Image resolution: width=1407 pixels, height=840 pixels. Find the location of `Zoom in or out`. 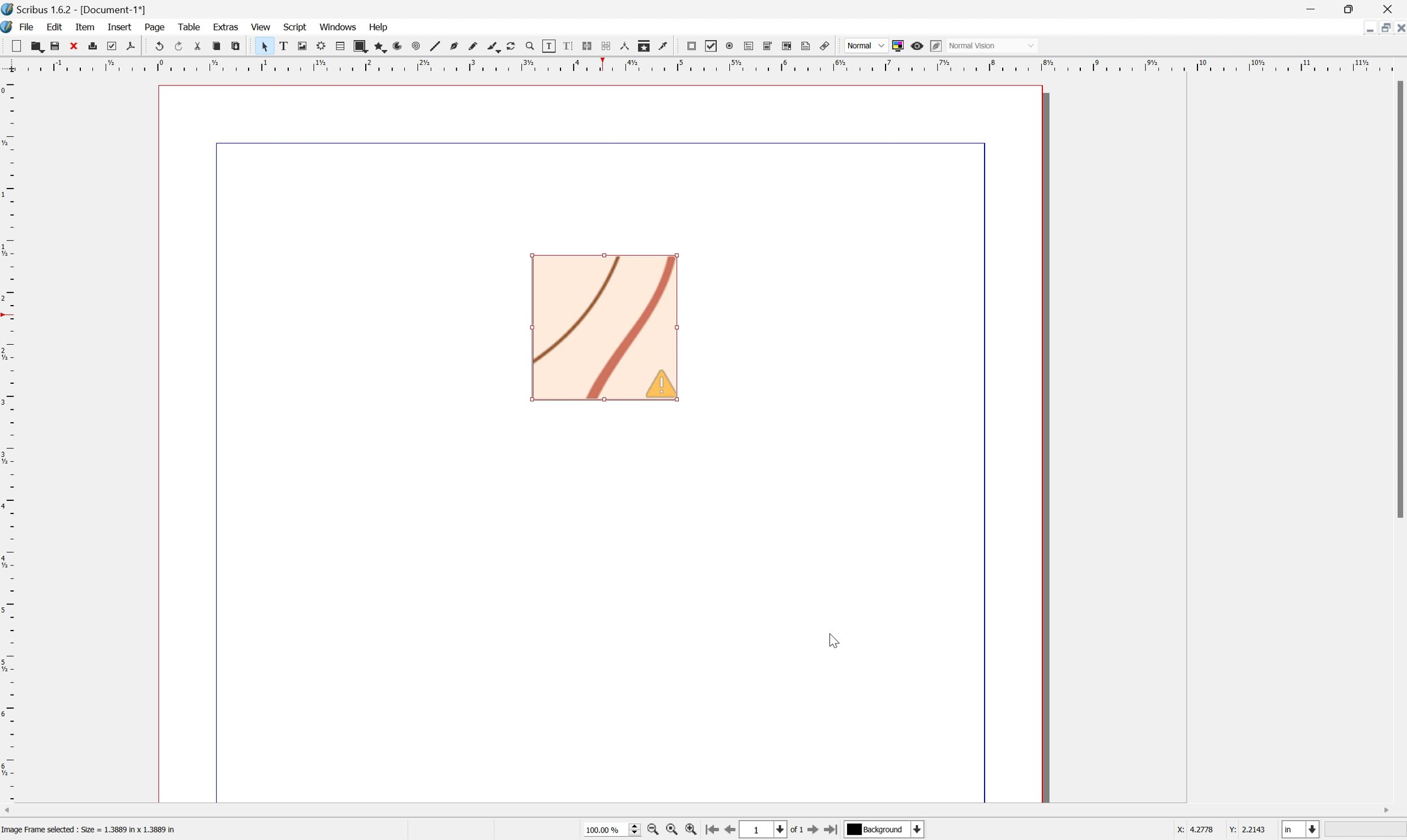

Zoom in or out is located at coordinates (533, 46).